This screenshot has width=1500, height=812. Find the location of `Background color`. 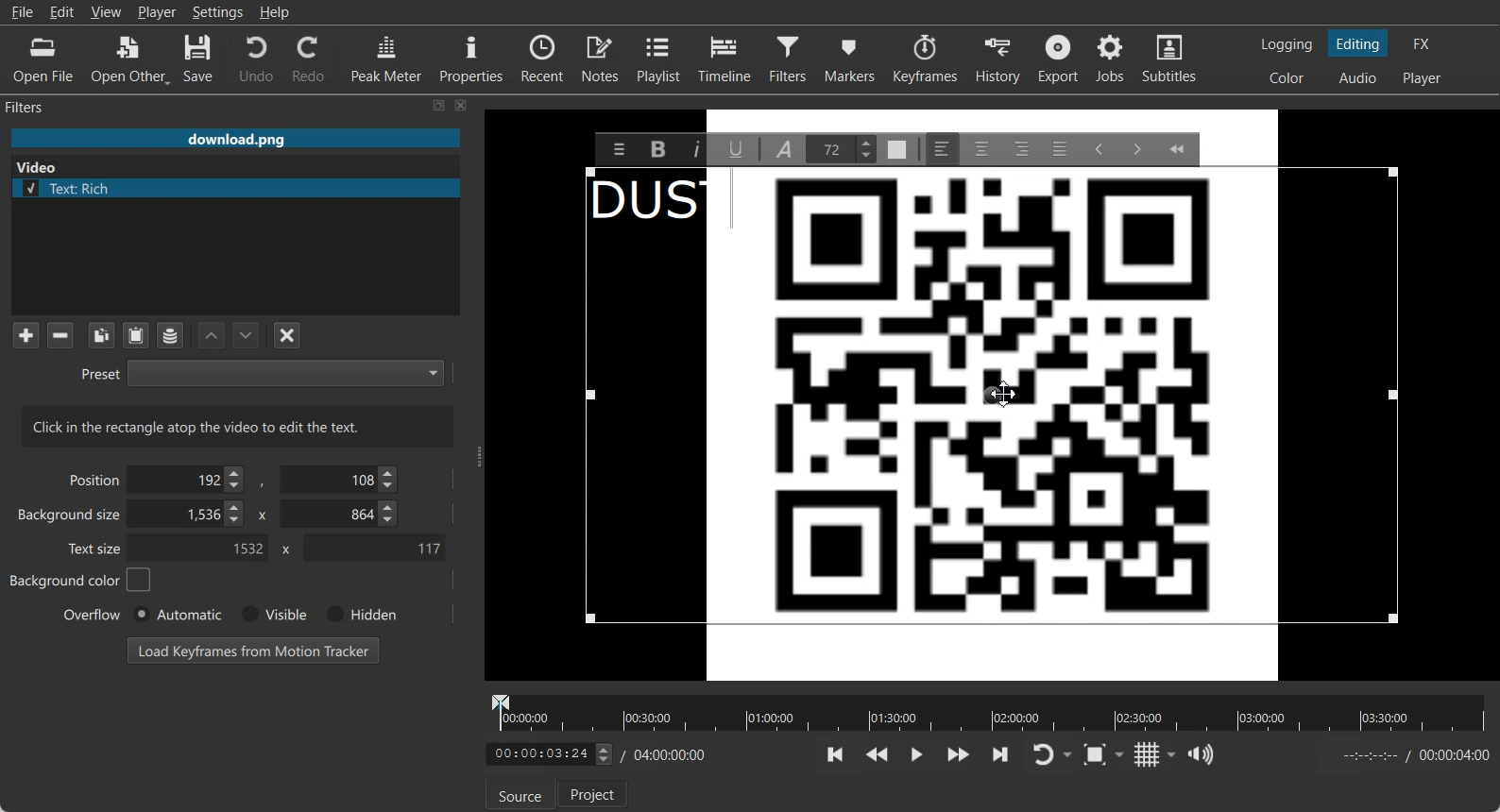

Background color is located at coordinates (81, 580).